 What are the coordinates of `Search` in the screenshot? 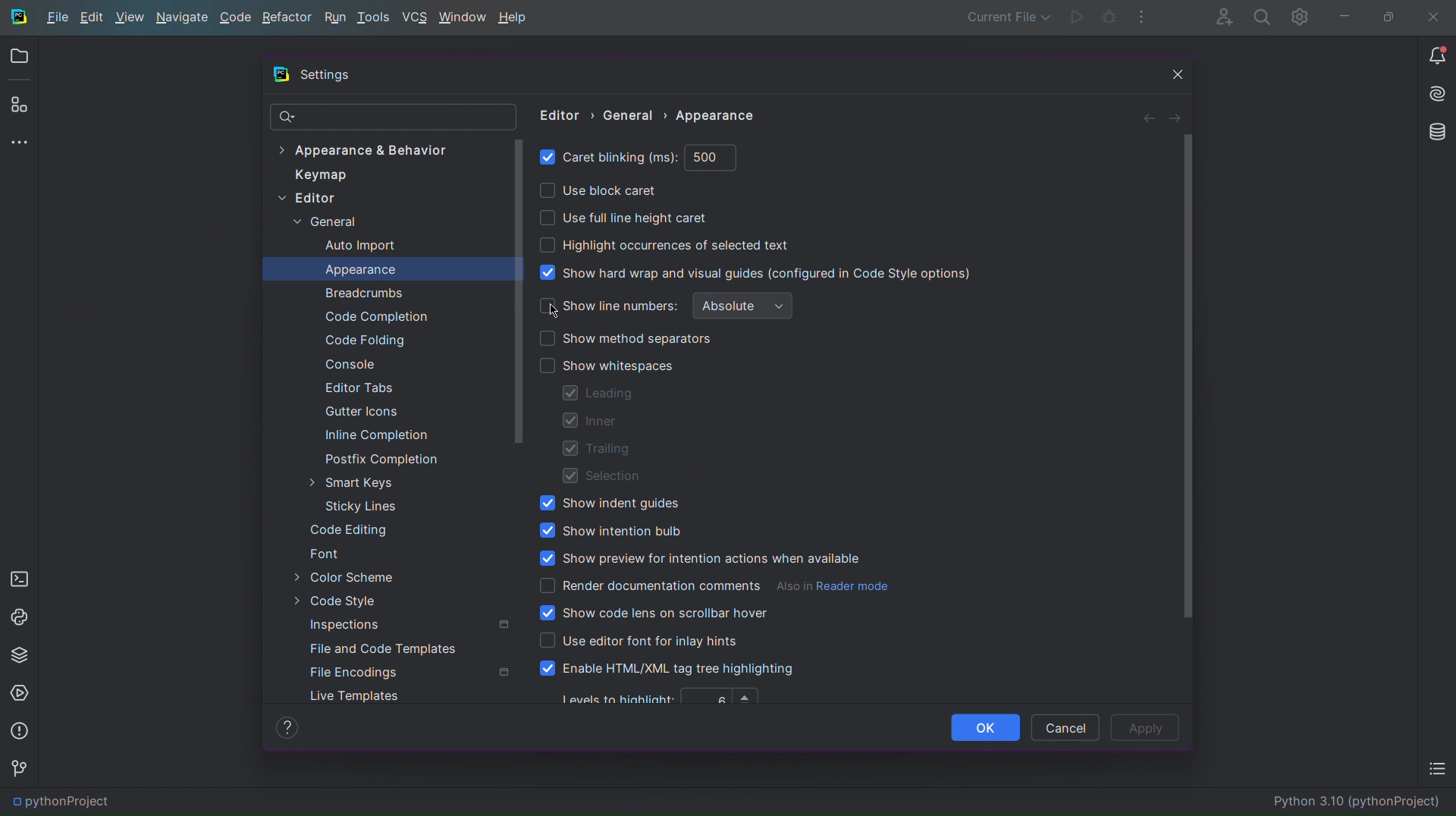 It's located at (1259, 17).